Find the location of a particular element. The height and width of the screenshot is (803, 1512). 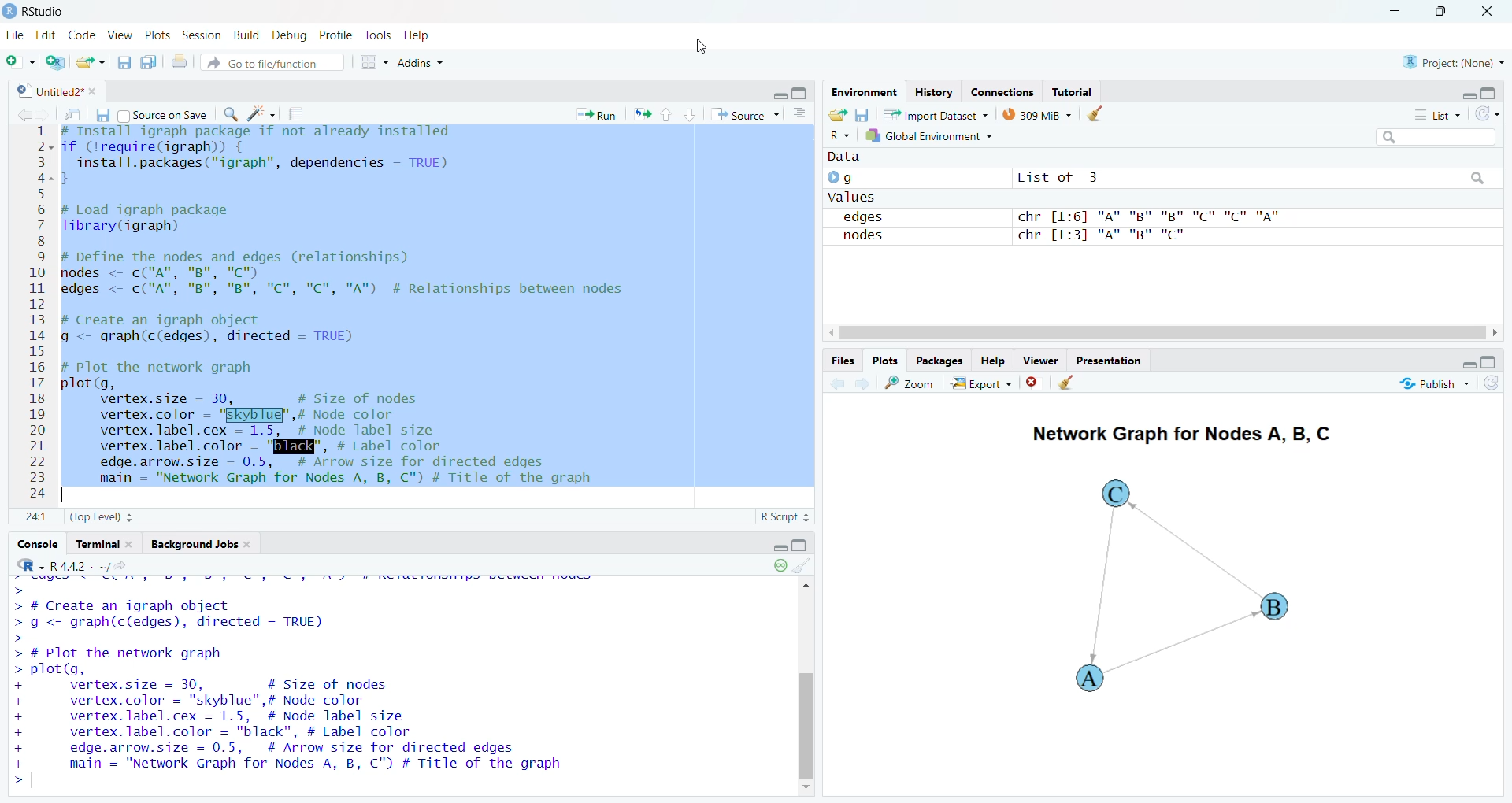

scroll bar is located at coordinates (1162, 331).